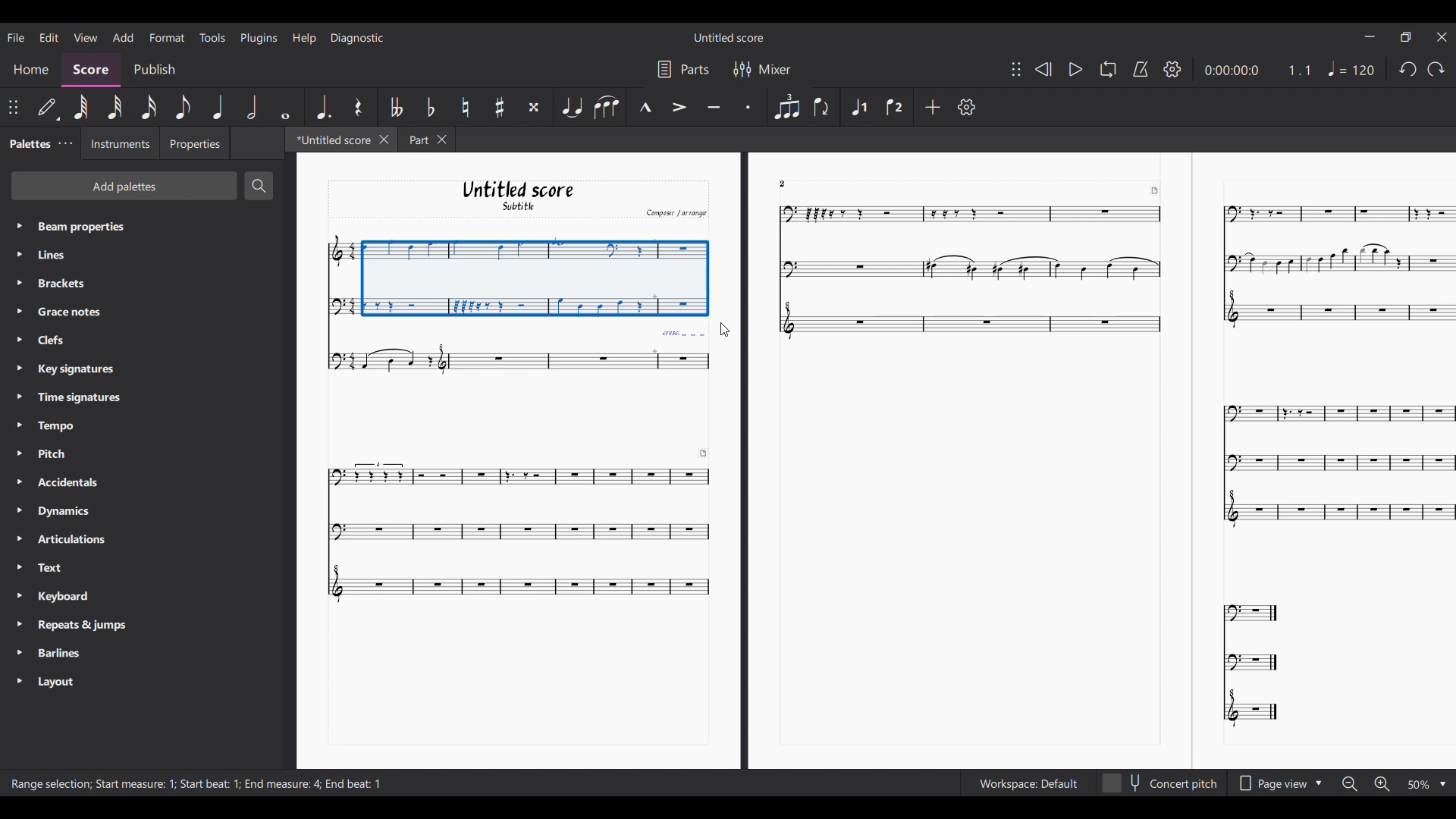  Describe the element at coordinates (1258, 70) in the screenshot. I see `Current duration and ratio` at that location.